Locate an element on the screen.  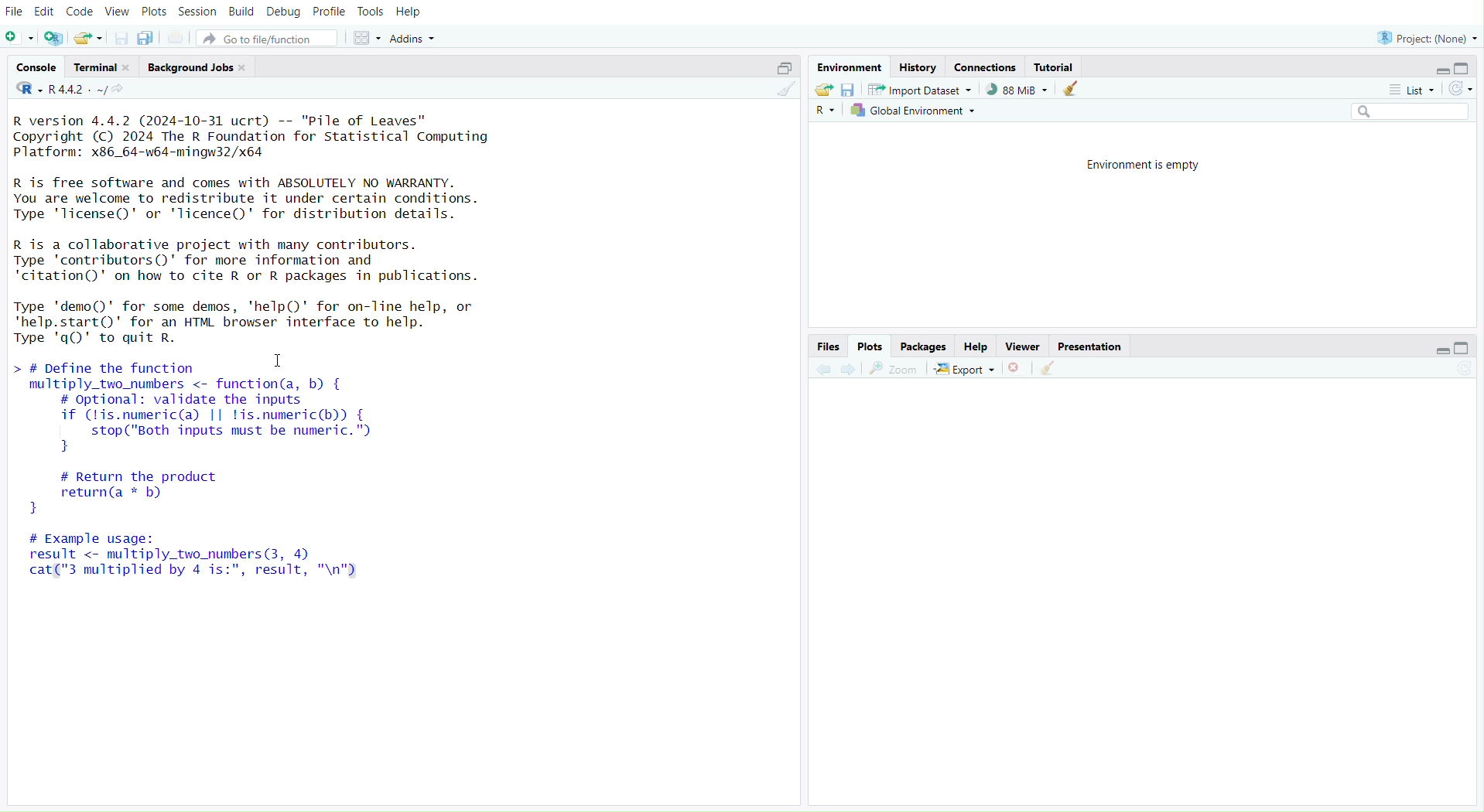
Minimize is located at coordinates (1438, 350).